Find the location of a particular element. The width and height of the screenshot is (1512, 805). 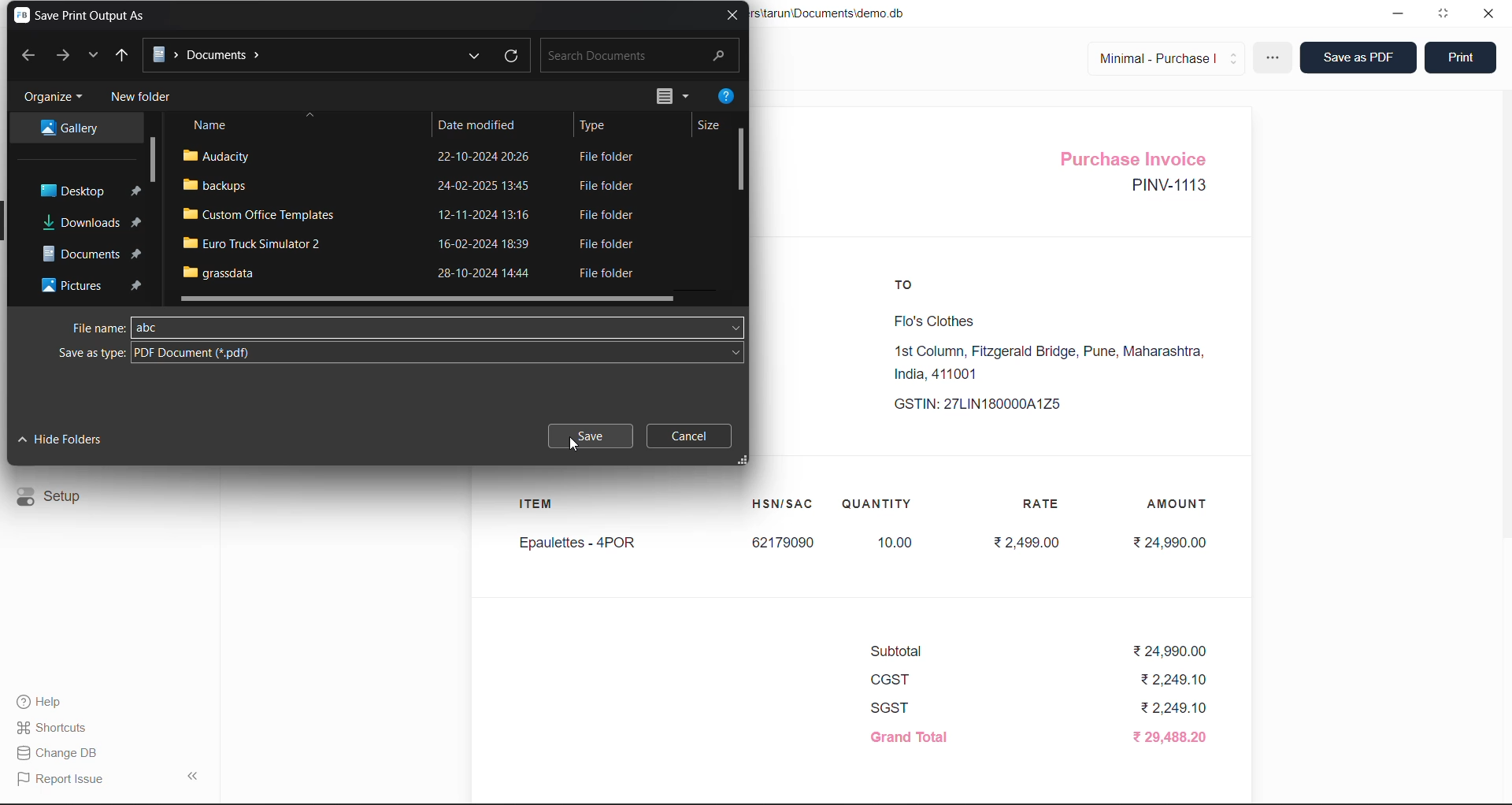

abc is located at coordinates (154, 328).